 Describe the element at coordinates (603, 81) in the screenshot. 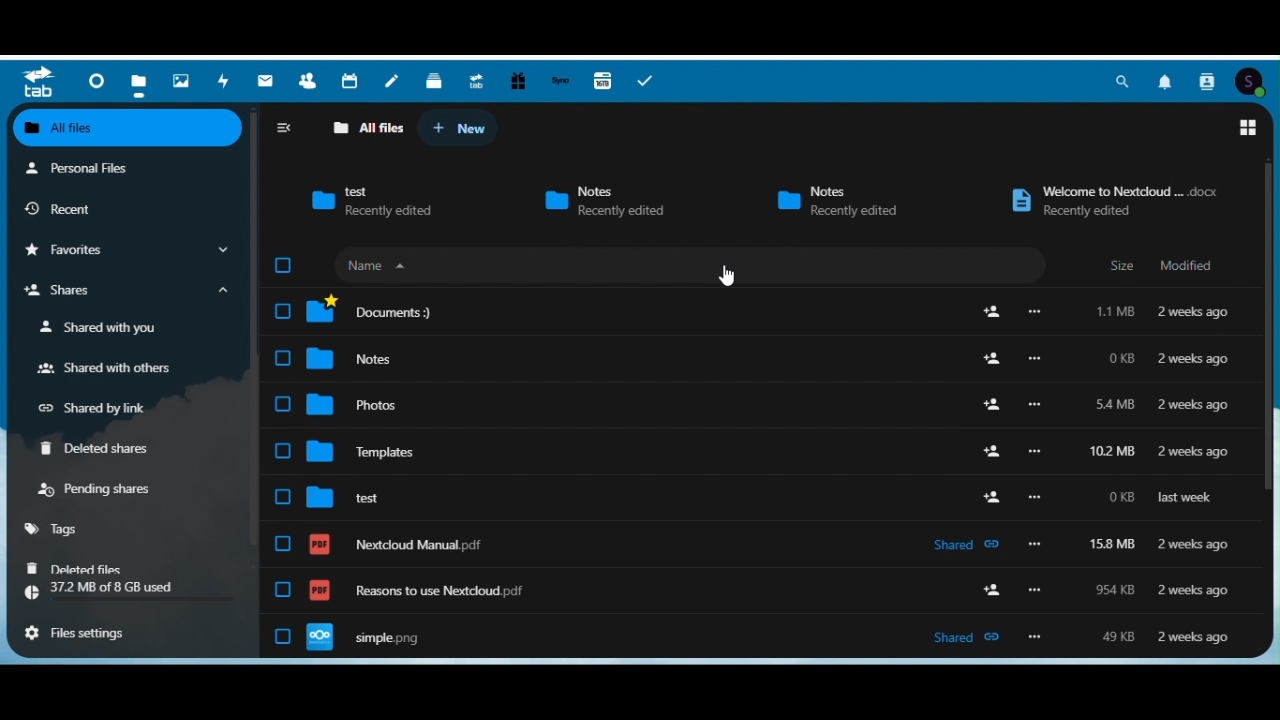

I see `16 terabytes` at that location.